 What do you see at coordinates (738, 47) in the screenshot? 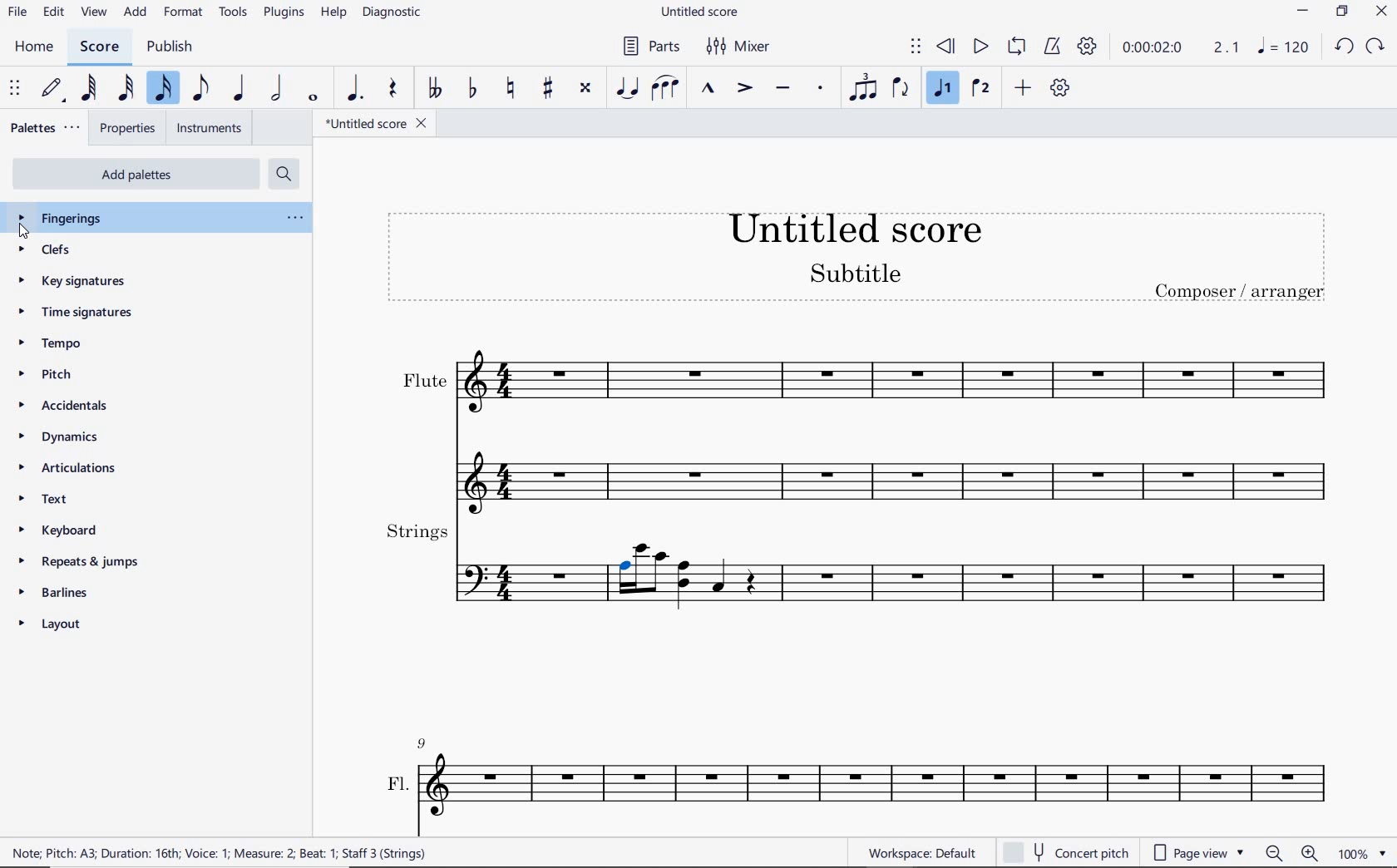
I see `mixer` at bounding box center [738, 47].